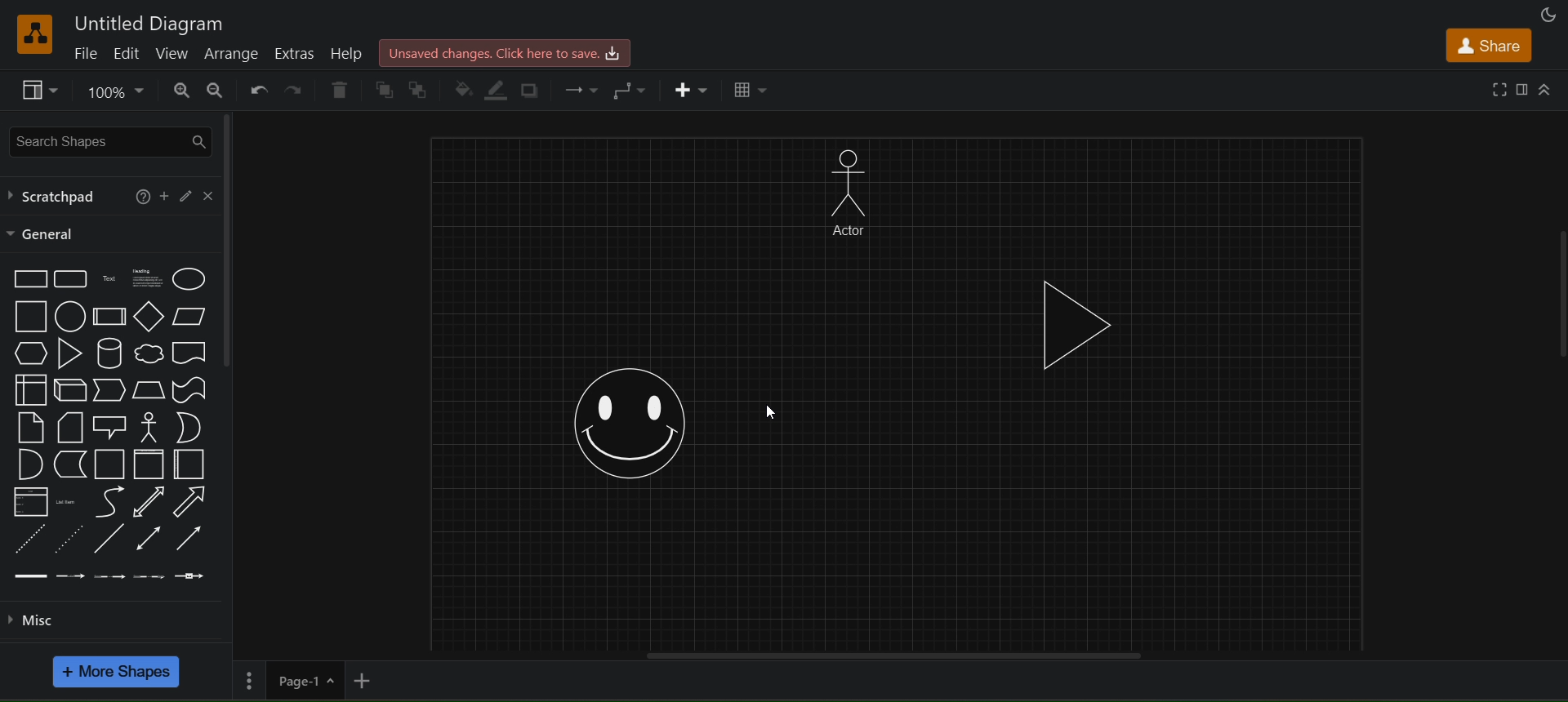  I want to click on view, so click(171, 52).